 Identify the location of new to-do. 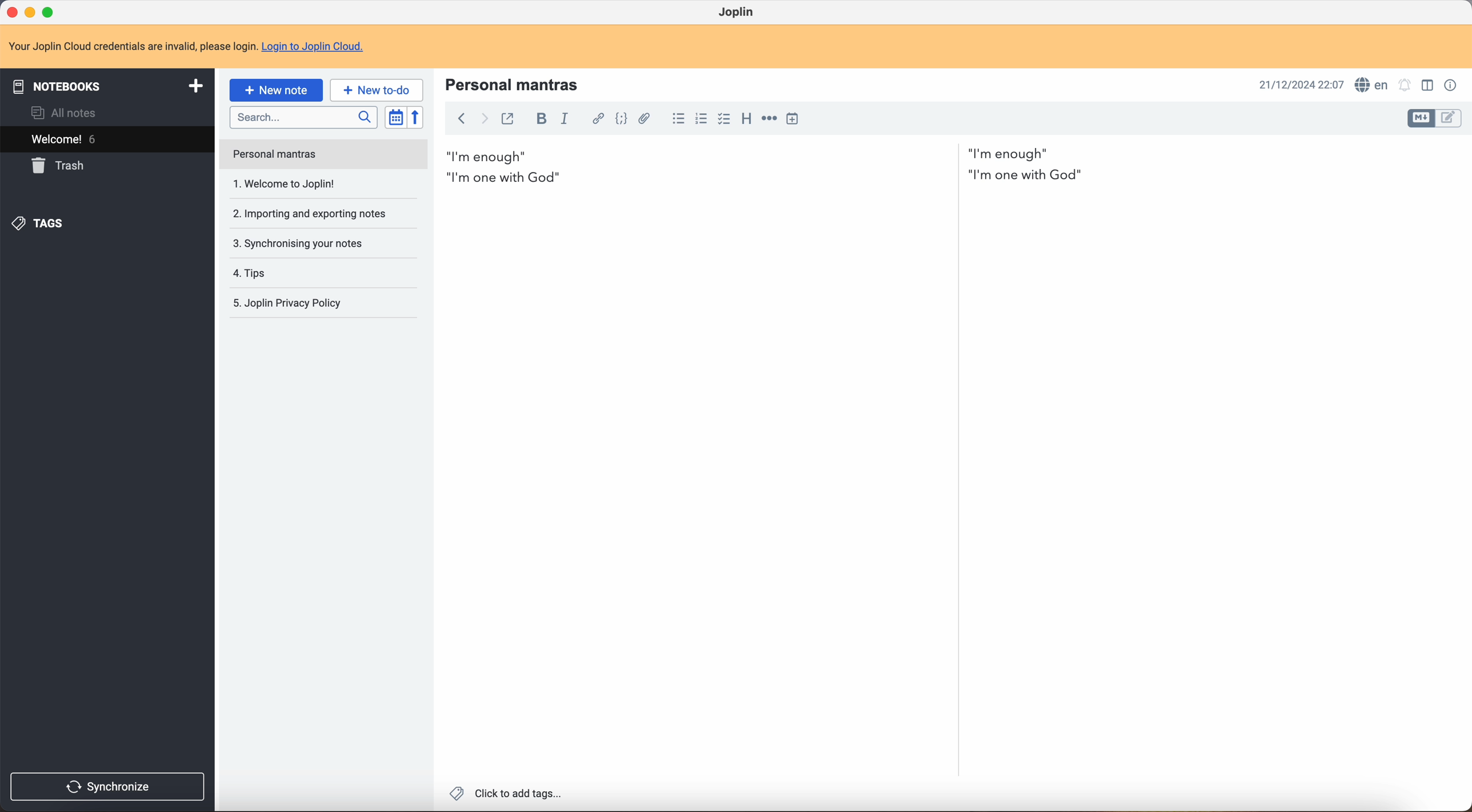
(376, 89).